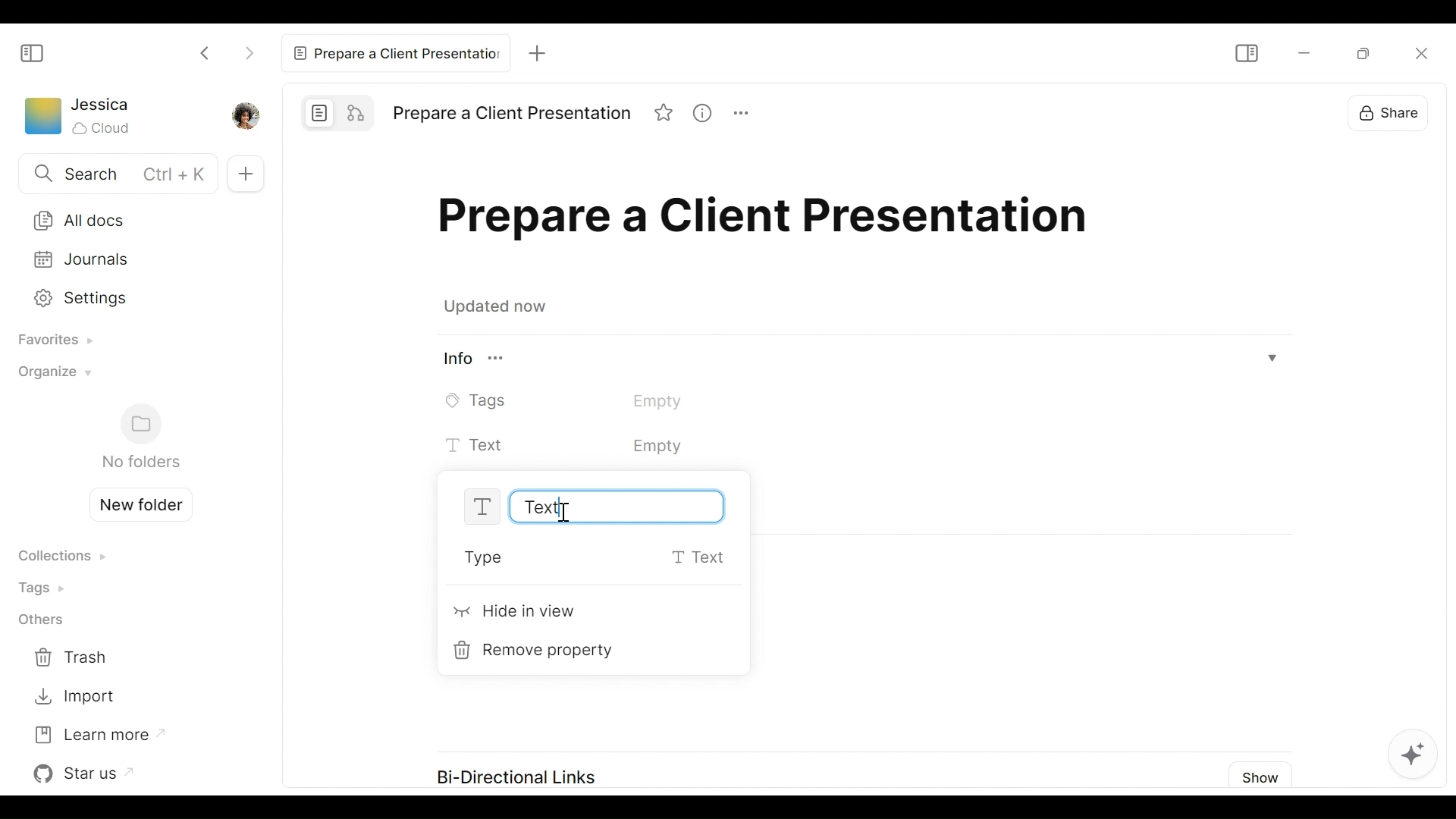 The image size is (1456, 819). Describe the element at coordinates (61, 557) in the screenshot. I see `Collections` at that location.